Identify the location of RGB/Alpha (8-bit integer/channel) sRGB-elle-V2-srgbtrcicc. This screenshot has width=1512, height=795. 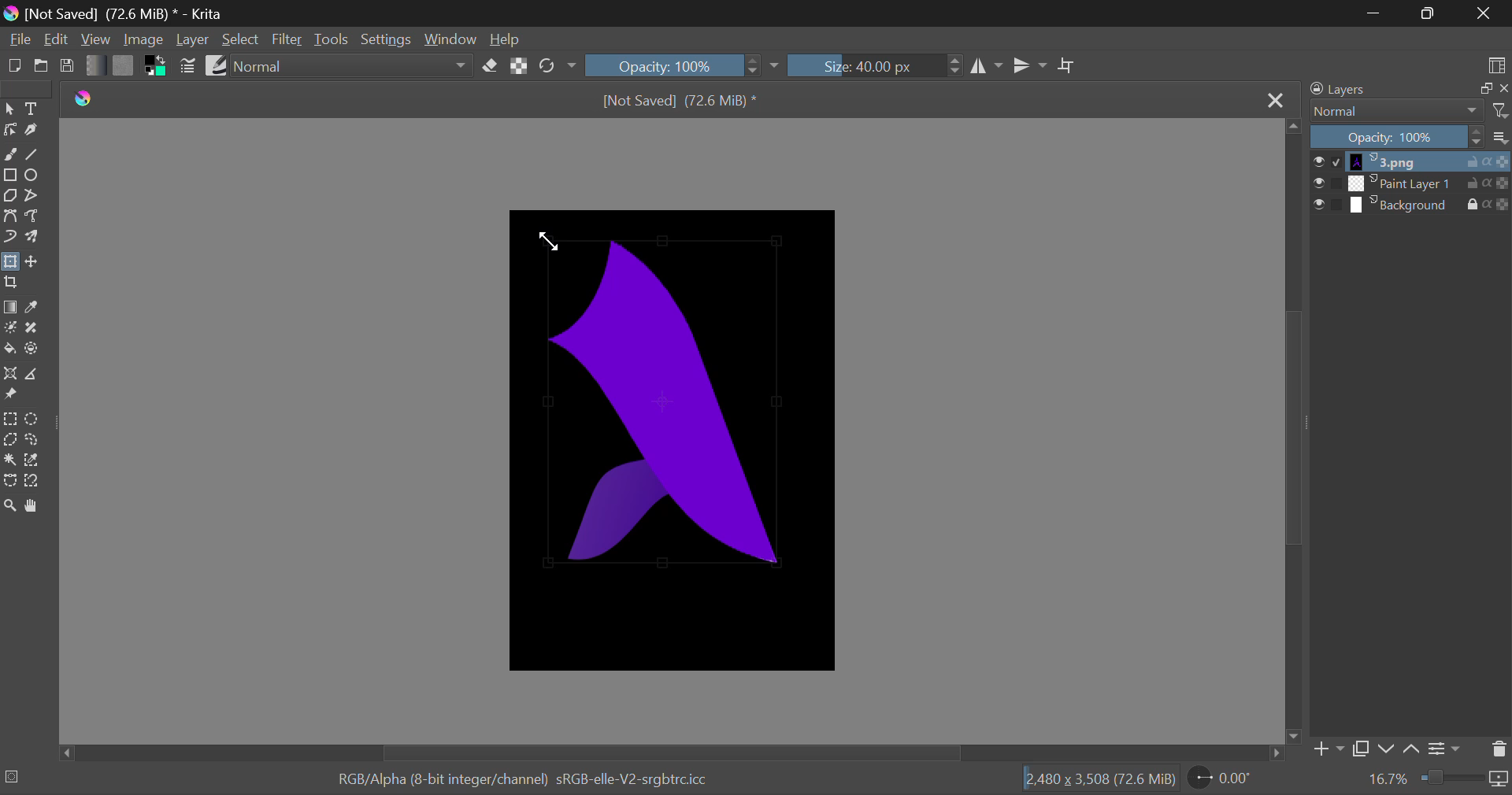
(524, 780).